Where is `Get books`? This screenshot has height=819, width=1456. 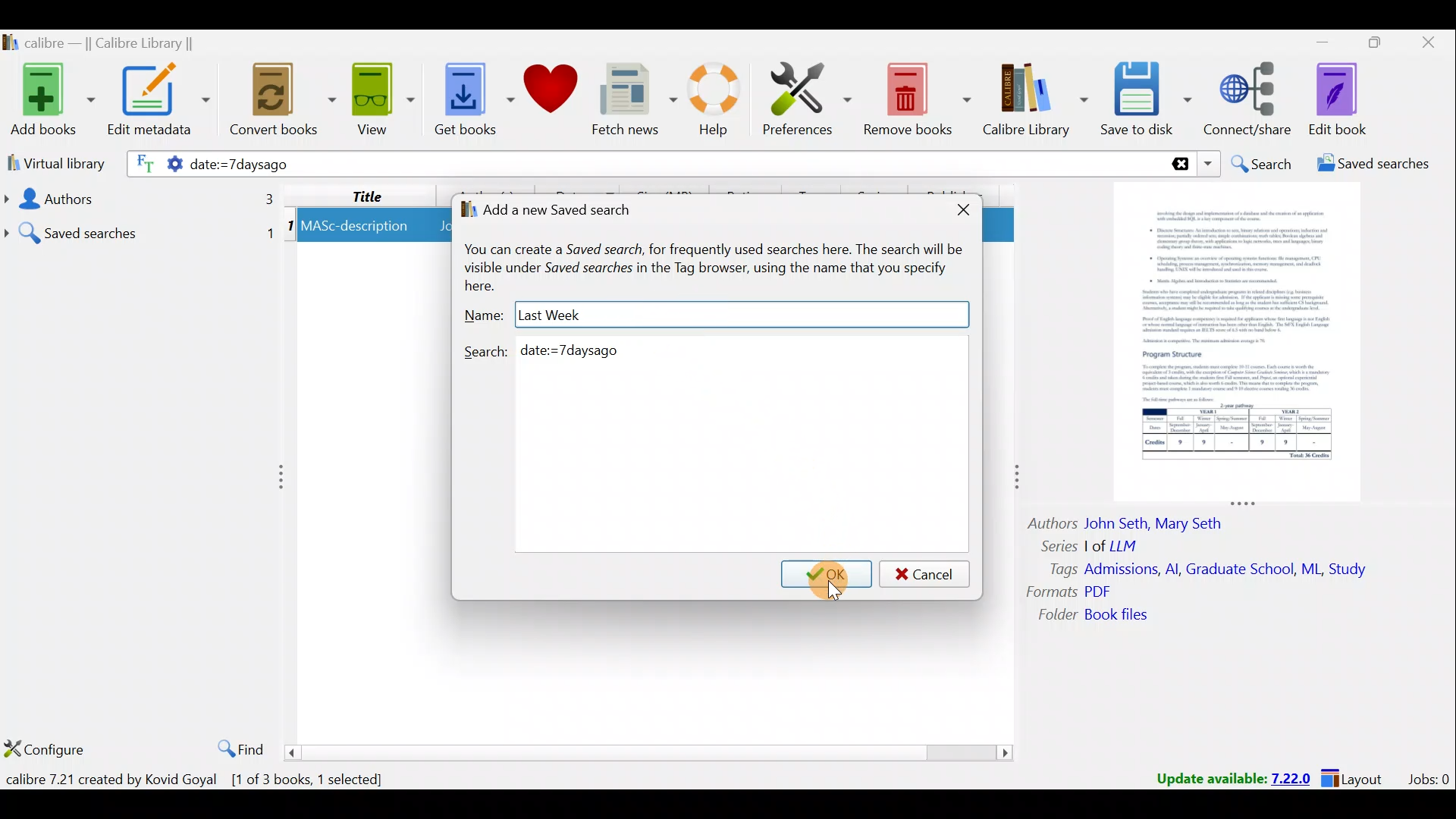
Get books is located at coordinates (468, 97).